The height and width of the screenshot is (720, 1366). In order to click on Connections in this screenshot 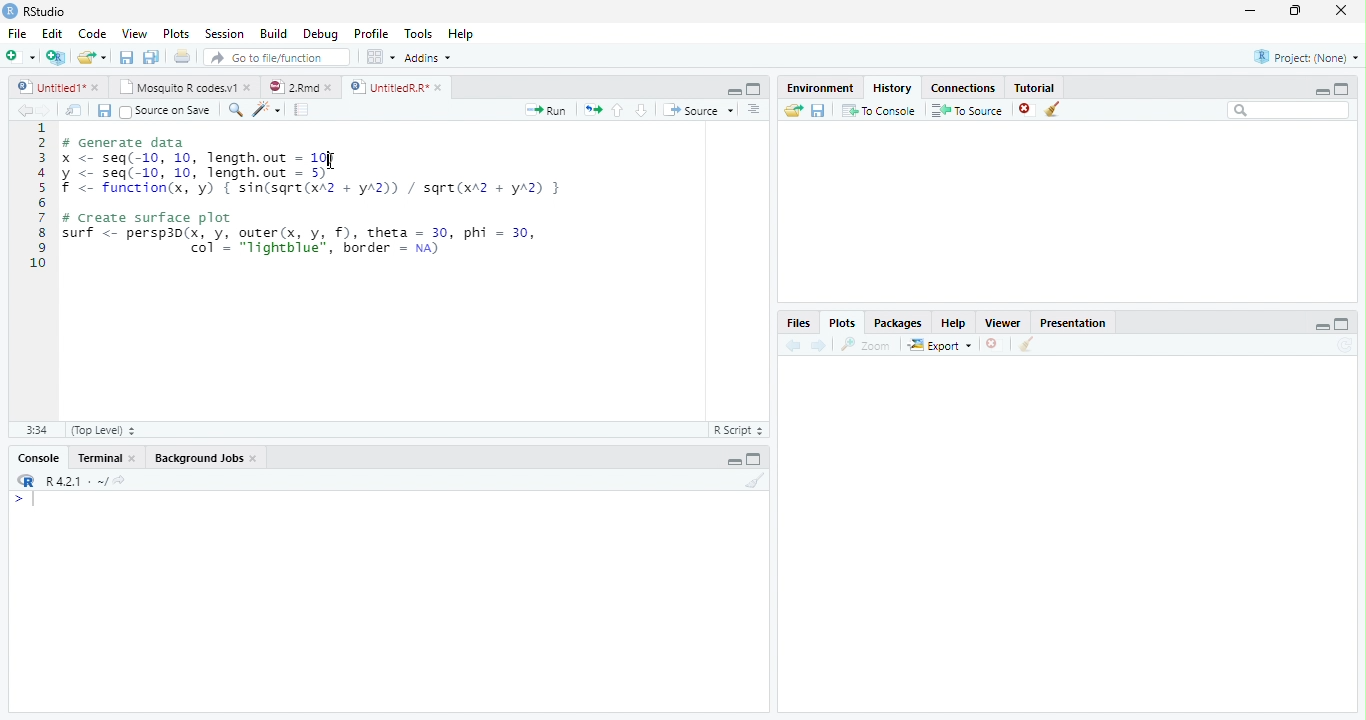, I will do `click(963, 87)`.